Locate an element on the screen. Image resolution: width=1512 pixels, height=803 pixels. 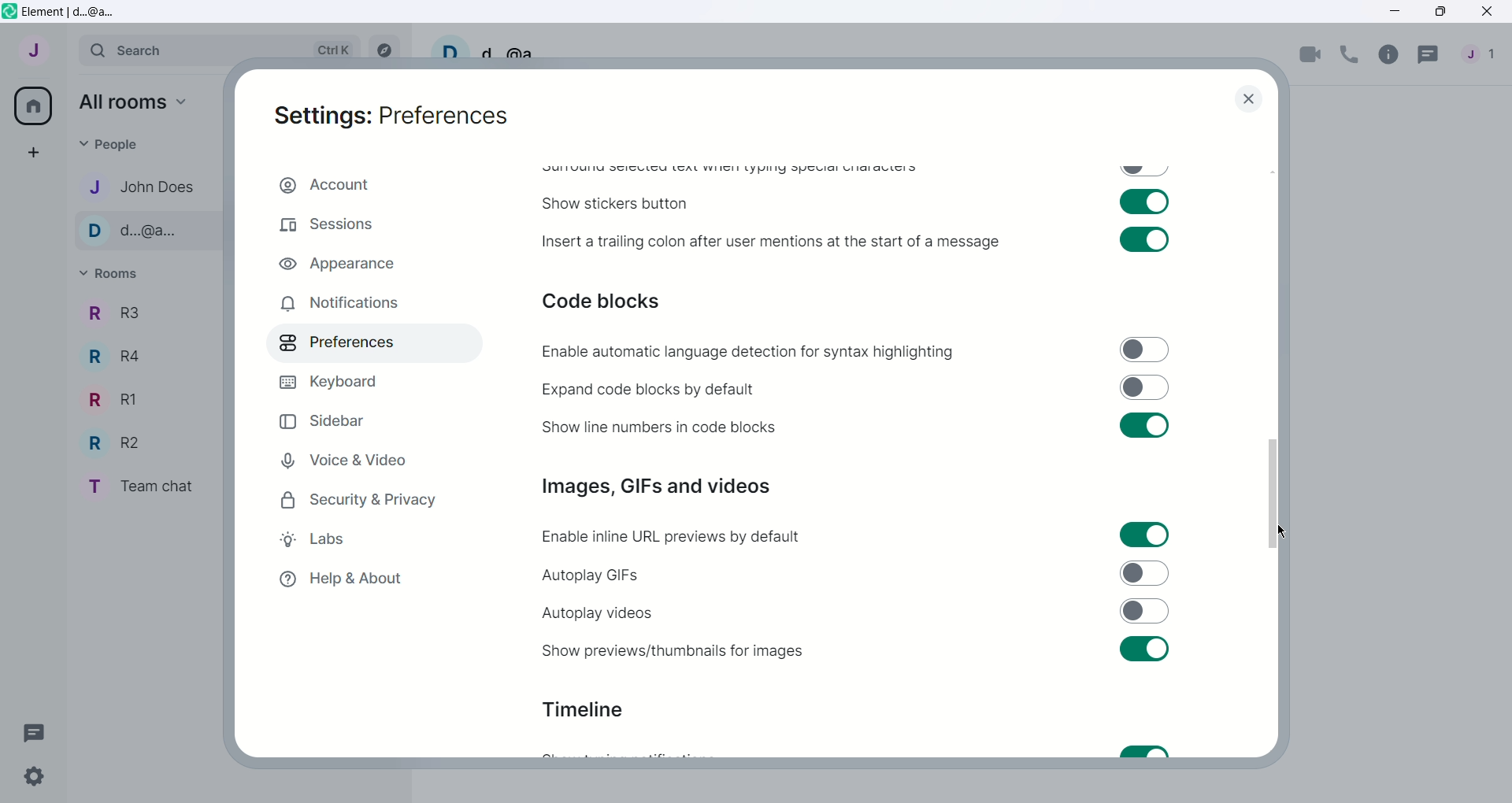
Threads is located at coordinates (35, 732).